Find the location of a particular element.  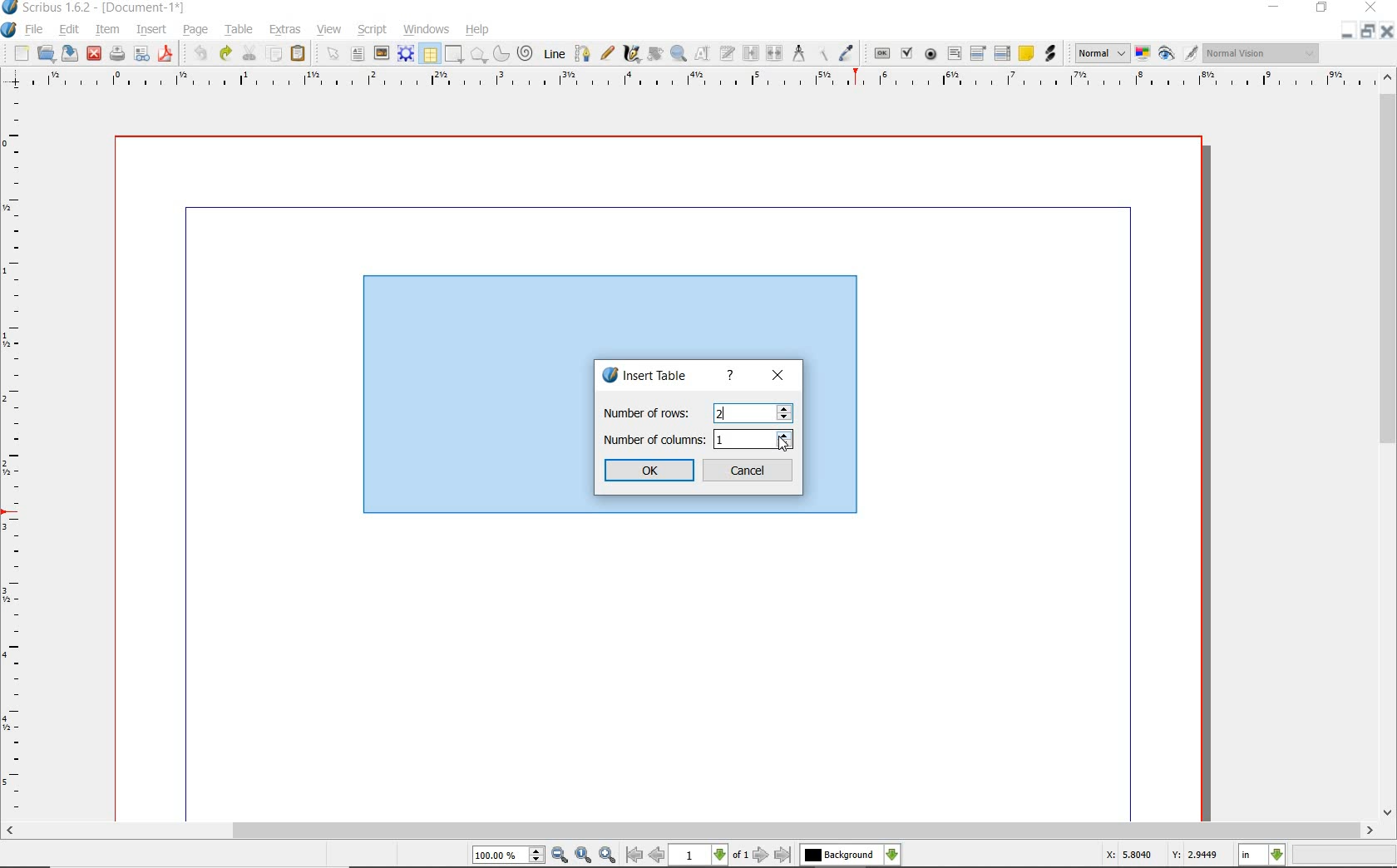

close is located at coordinates (777, 377).